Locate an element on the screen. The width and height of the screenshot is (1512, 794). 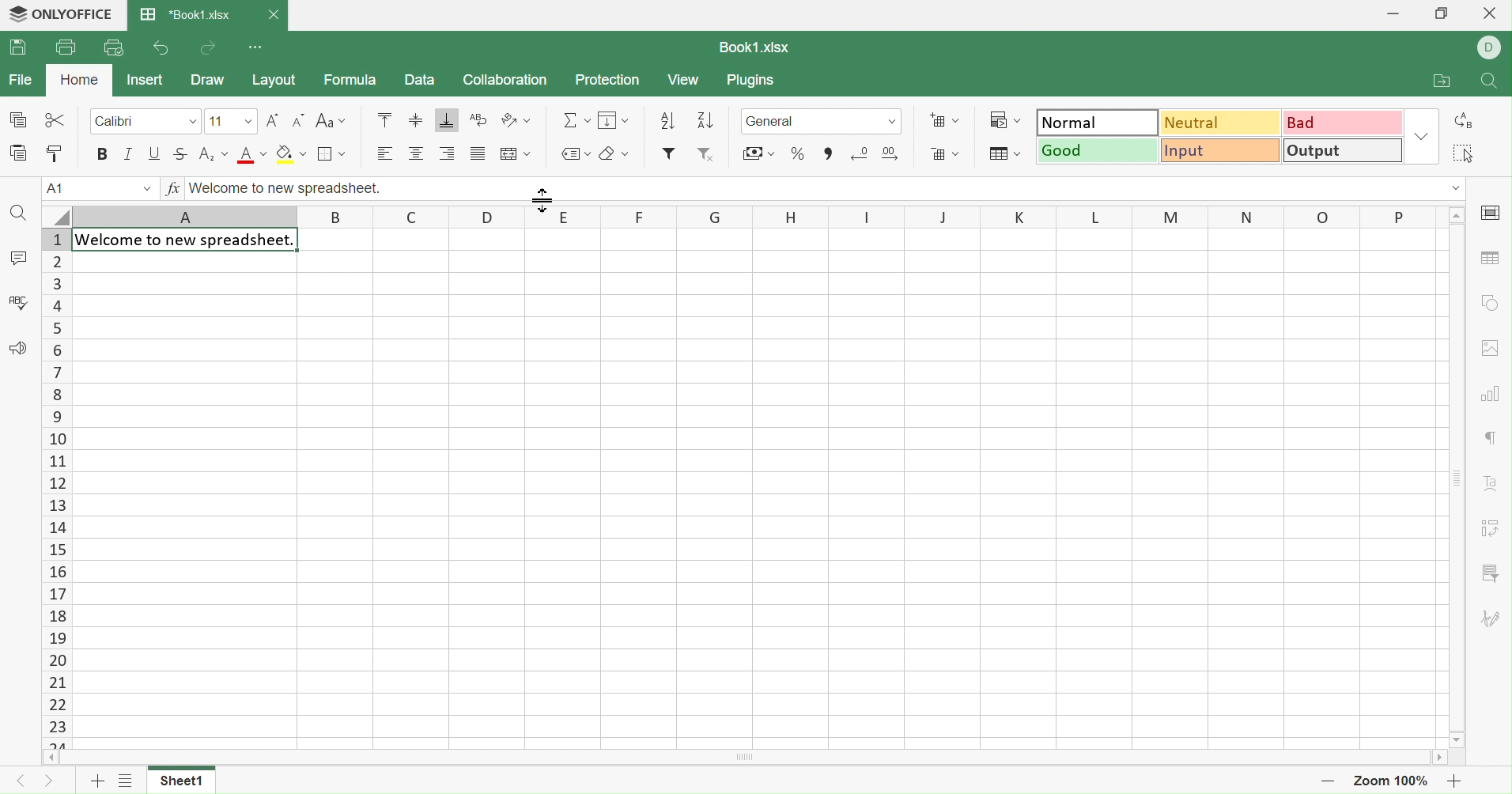
Comments is located at coordinates (18, 258).